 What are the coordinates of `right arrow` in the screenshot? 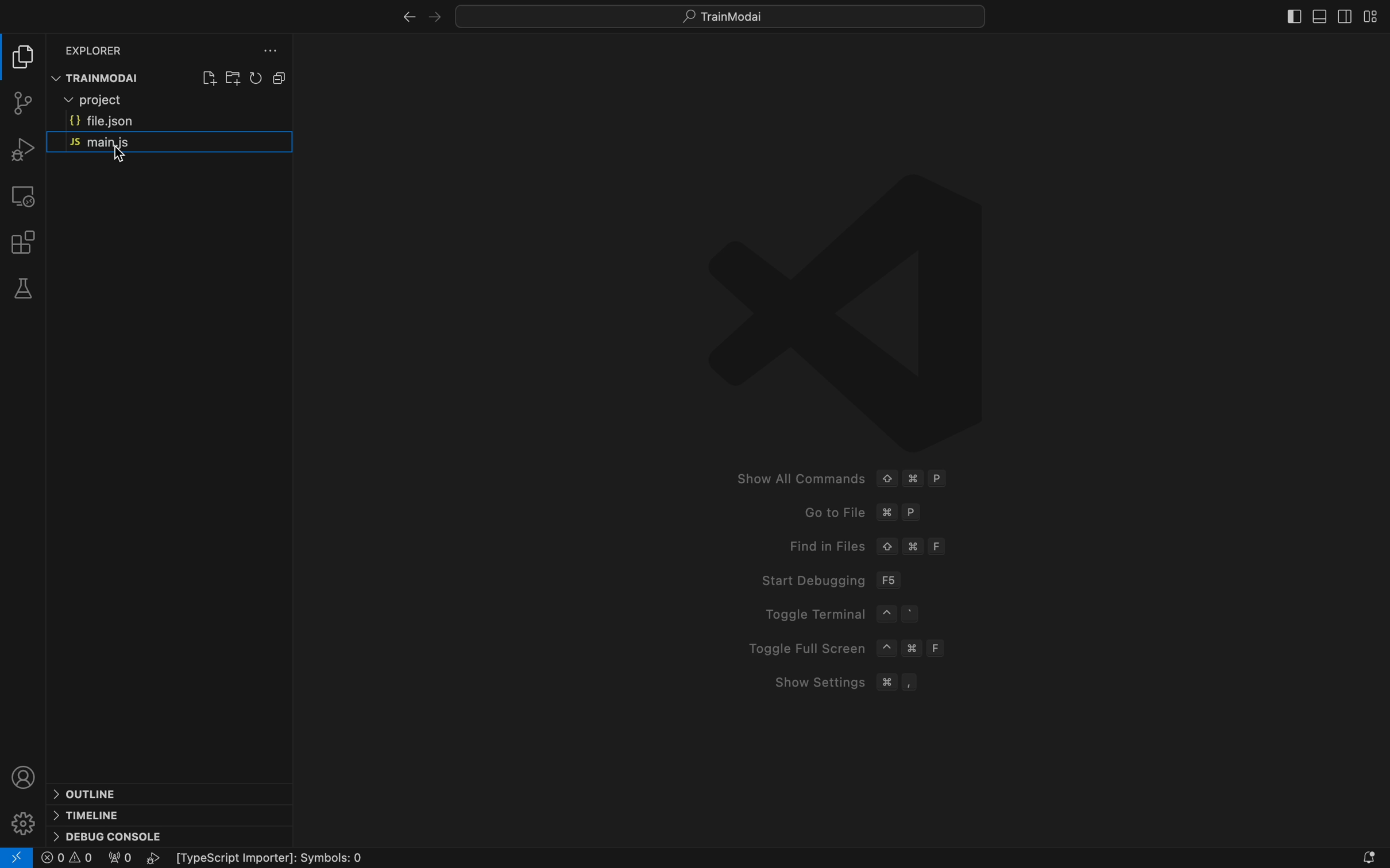 It's located at (403, 17).